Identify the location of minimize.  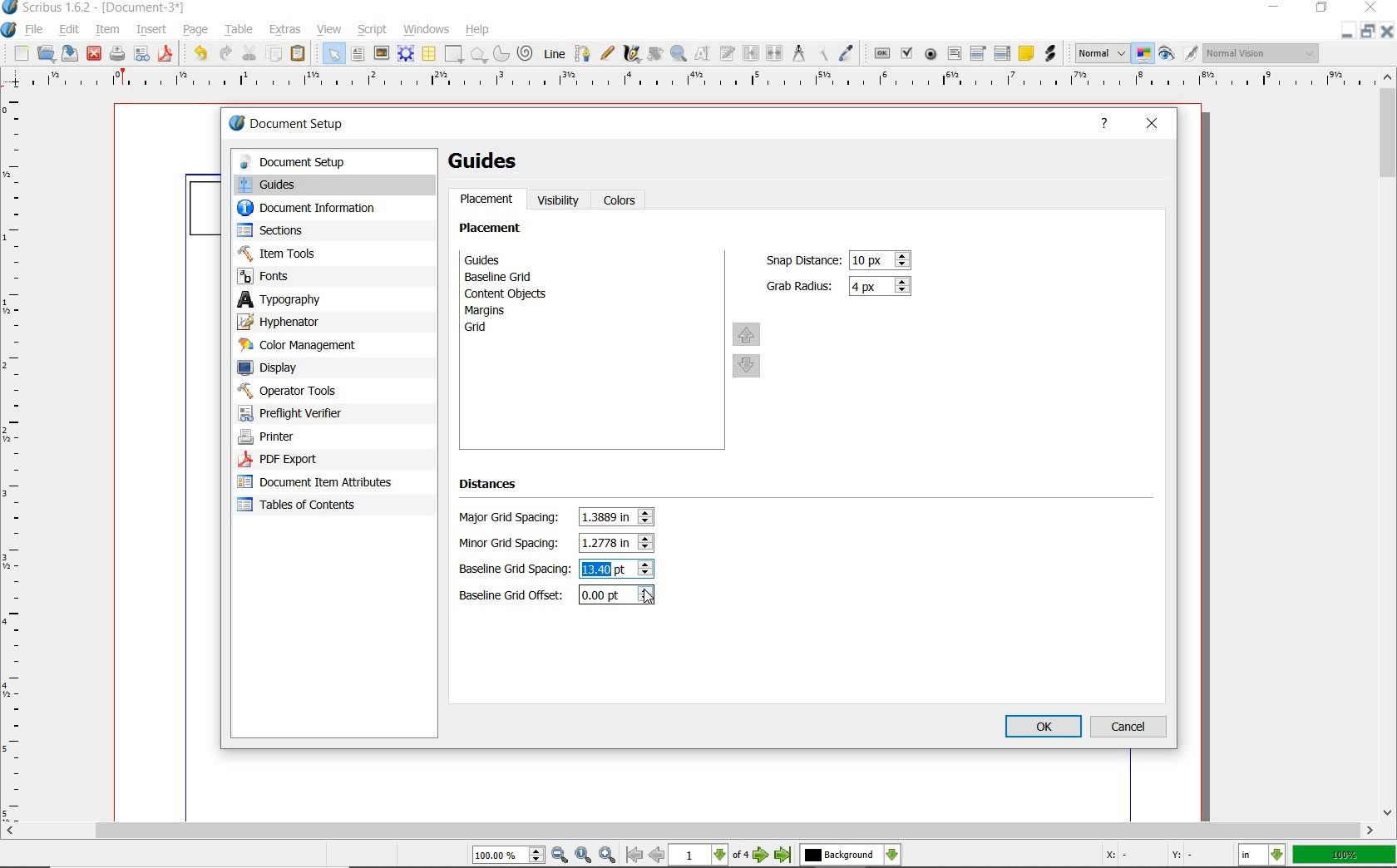
(1349, 31).